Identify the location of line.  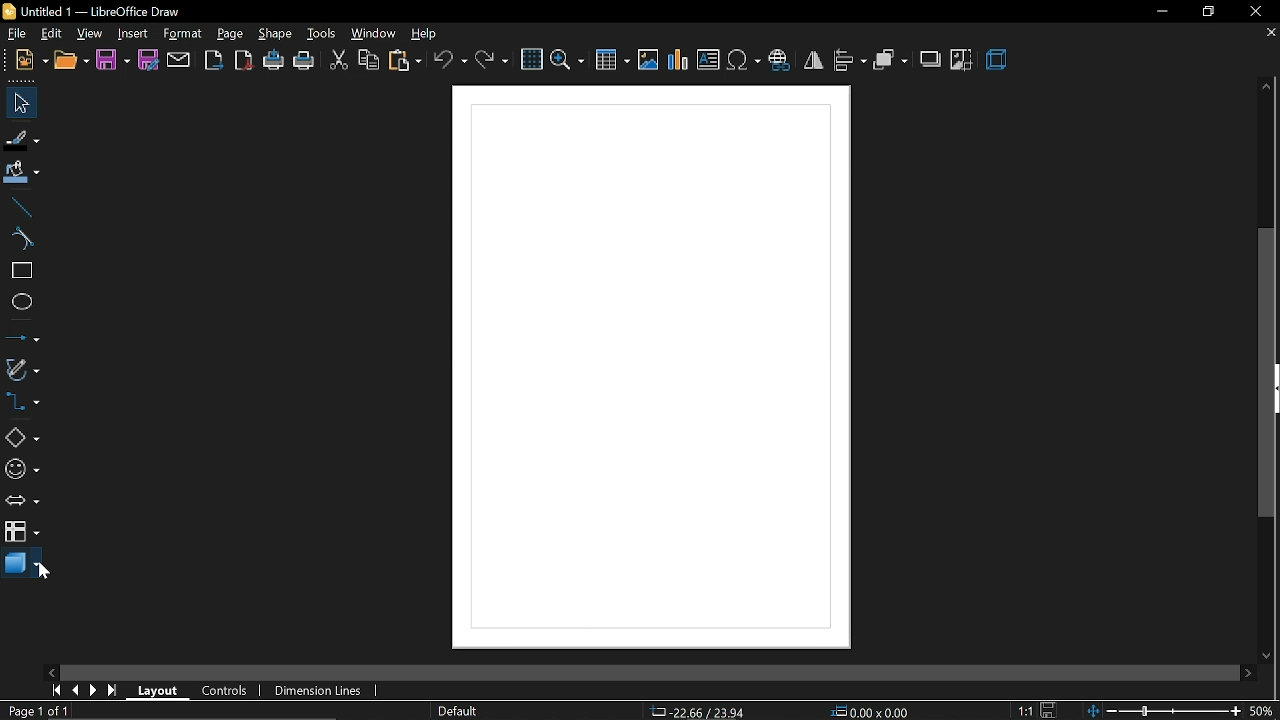
(20, 207).